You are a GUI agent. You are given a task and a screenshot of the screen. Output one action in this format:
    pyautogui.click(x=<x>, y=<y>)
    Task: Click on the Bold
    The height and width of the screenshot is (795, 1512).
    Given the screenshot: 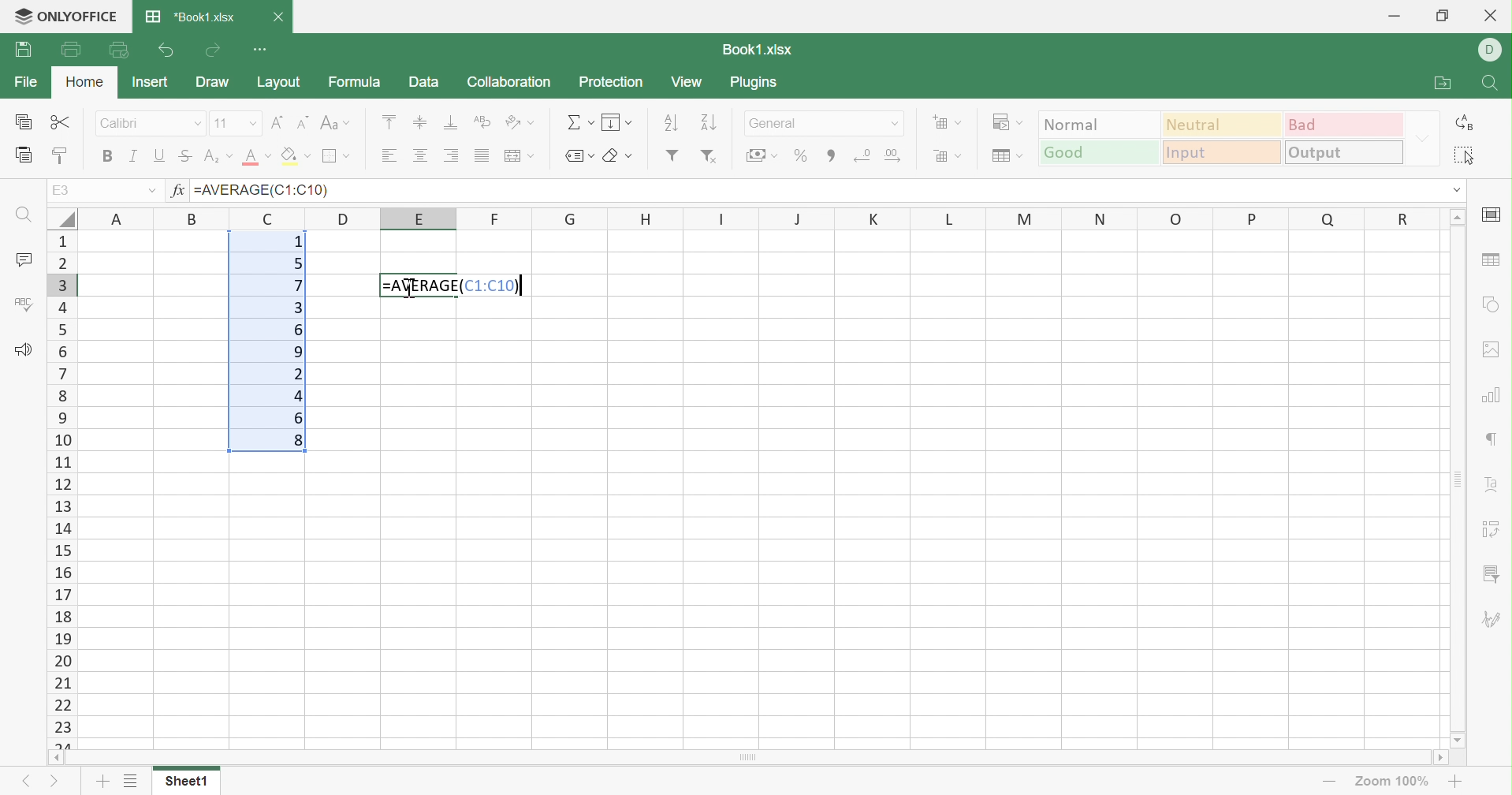 What is the action you would take?
    pyautogui.click(x=106, y=158)
    